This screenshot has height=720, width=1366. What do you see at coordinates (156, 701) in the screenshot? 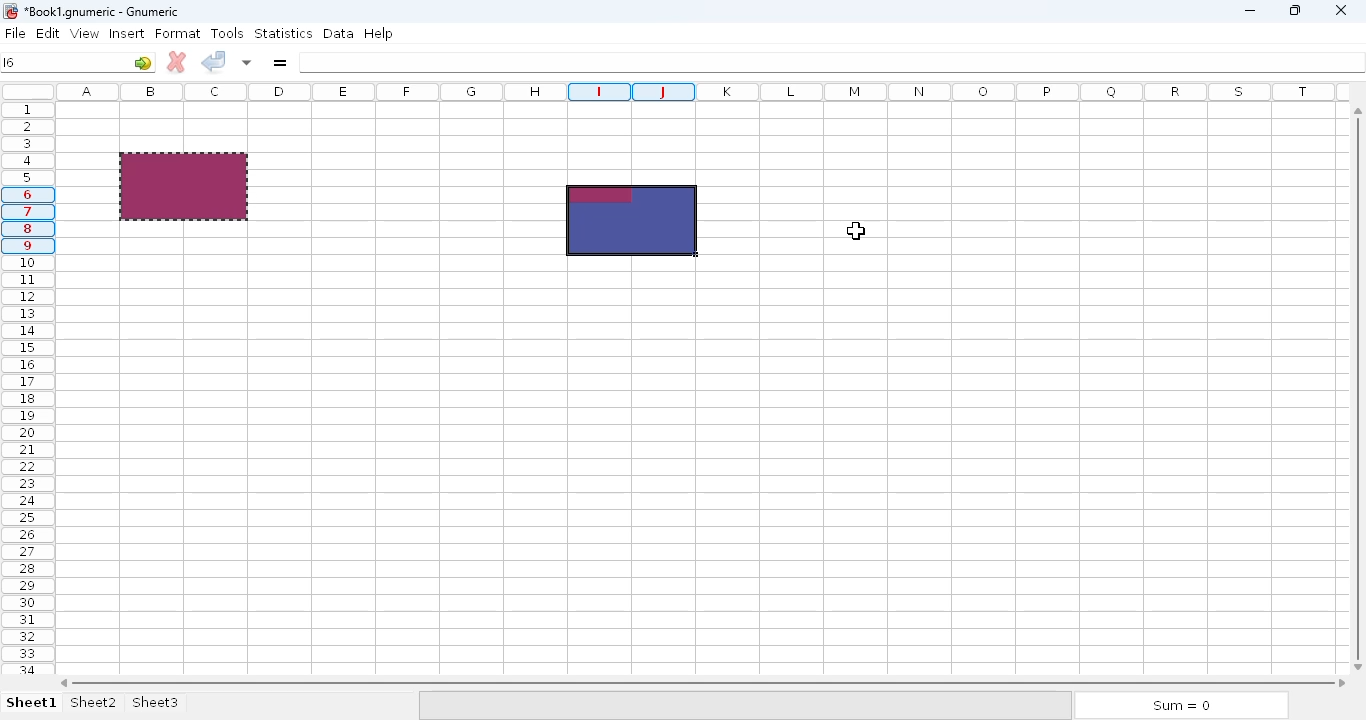
I see `sheet3` at bounding box center [156, 701].